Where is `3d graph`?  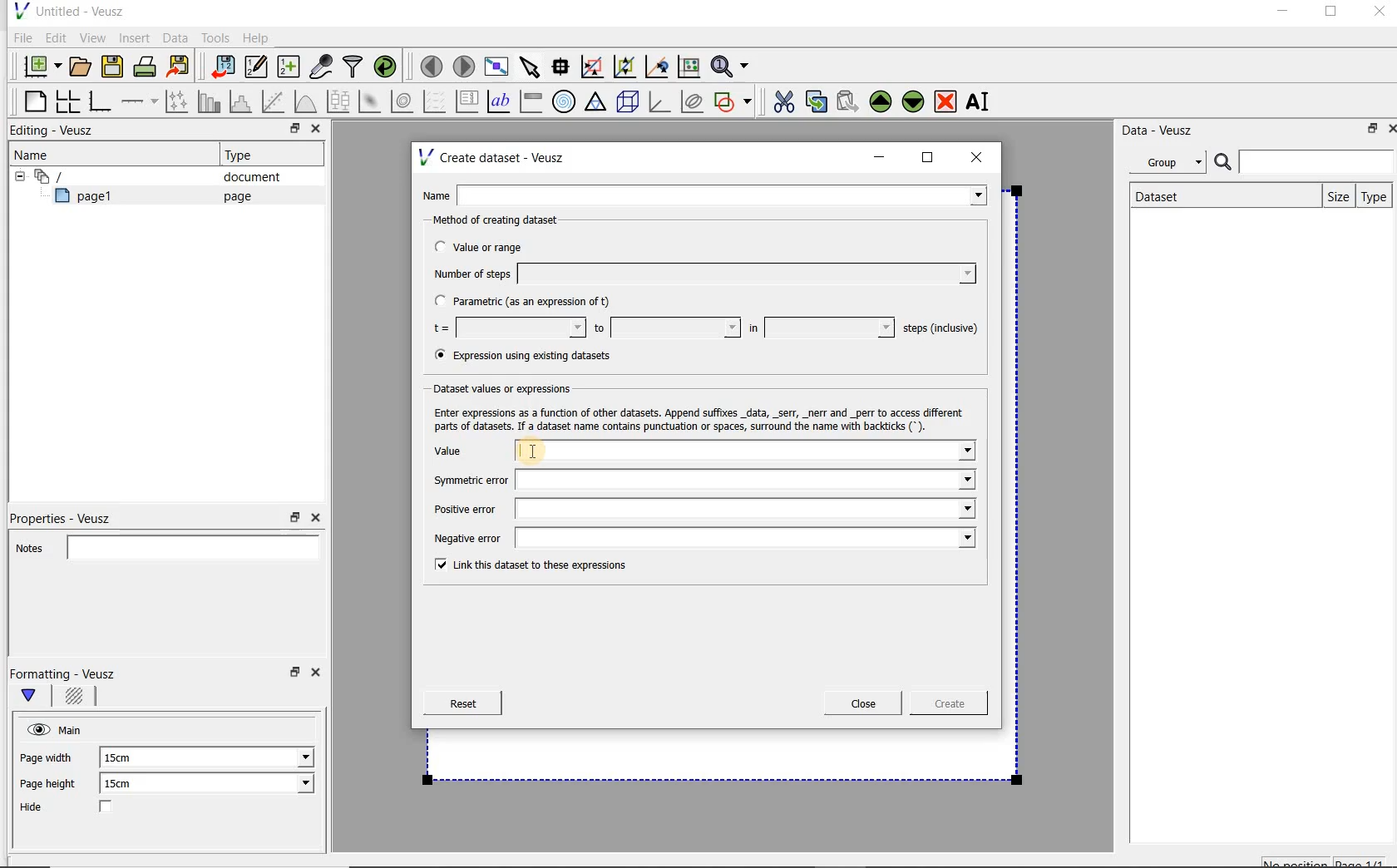 3d graph is located at coordinates (660, 103).